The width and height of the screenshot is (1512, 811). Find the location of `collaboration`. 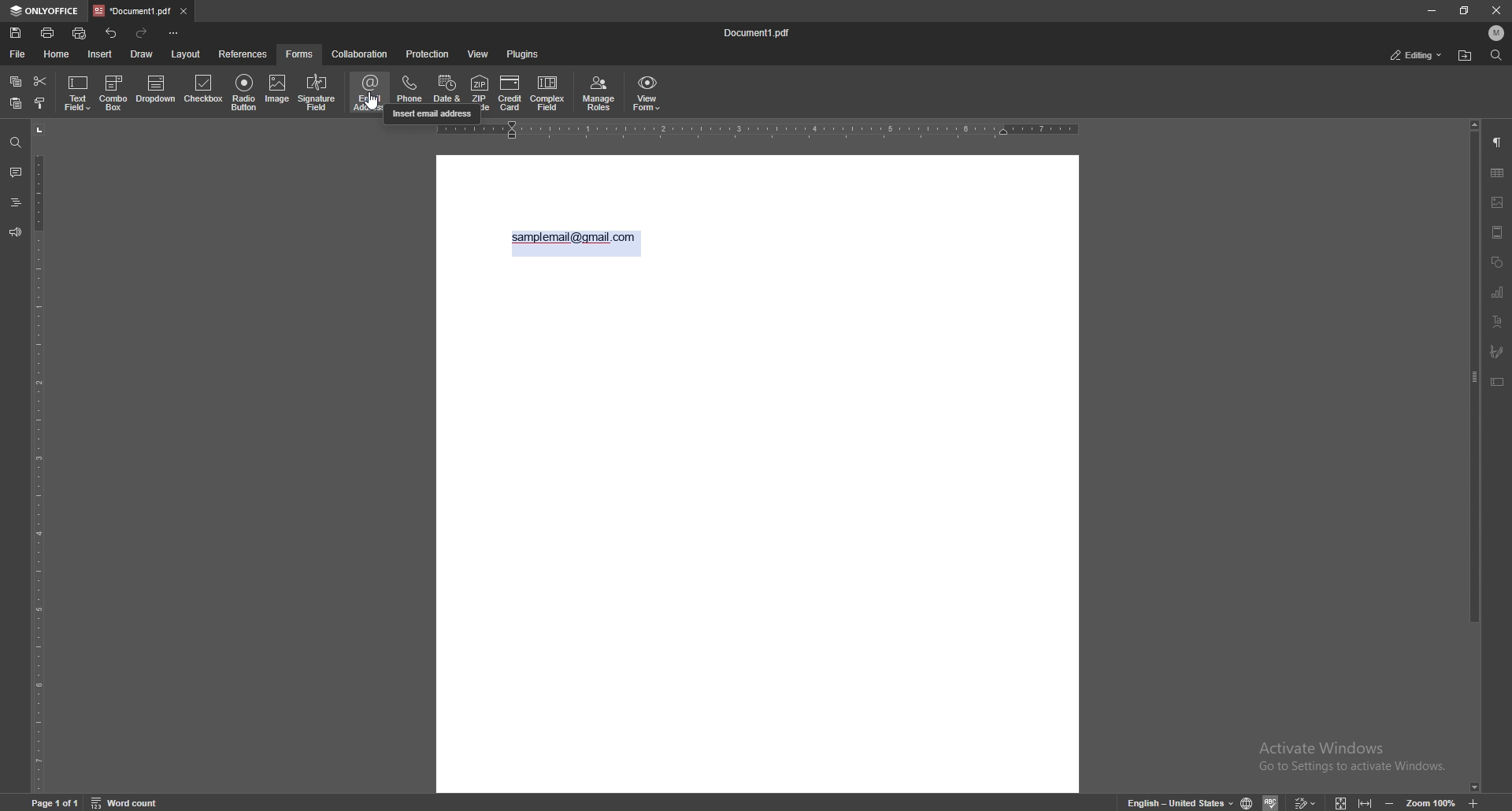

collaboration is located at coordinates (360, 54).